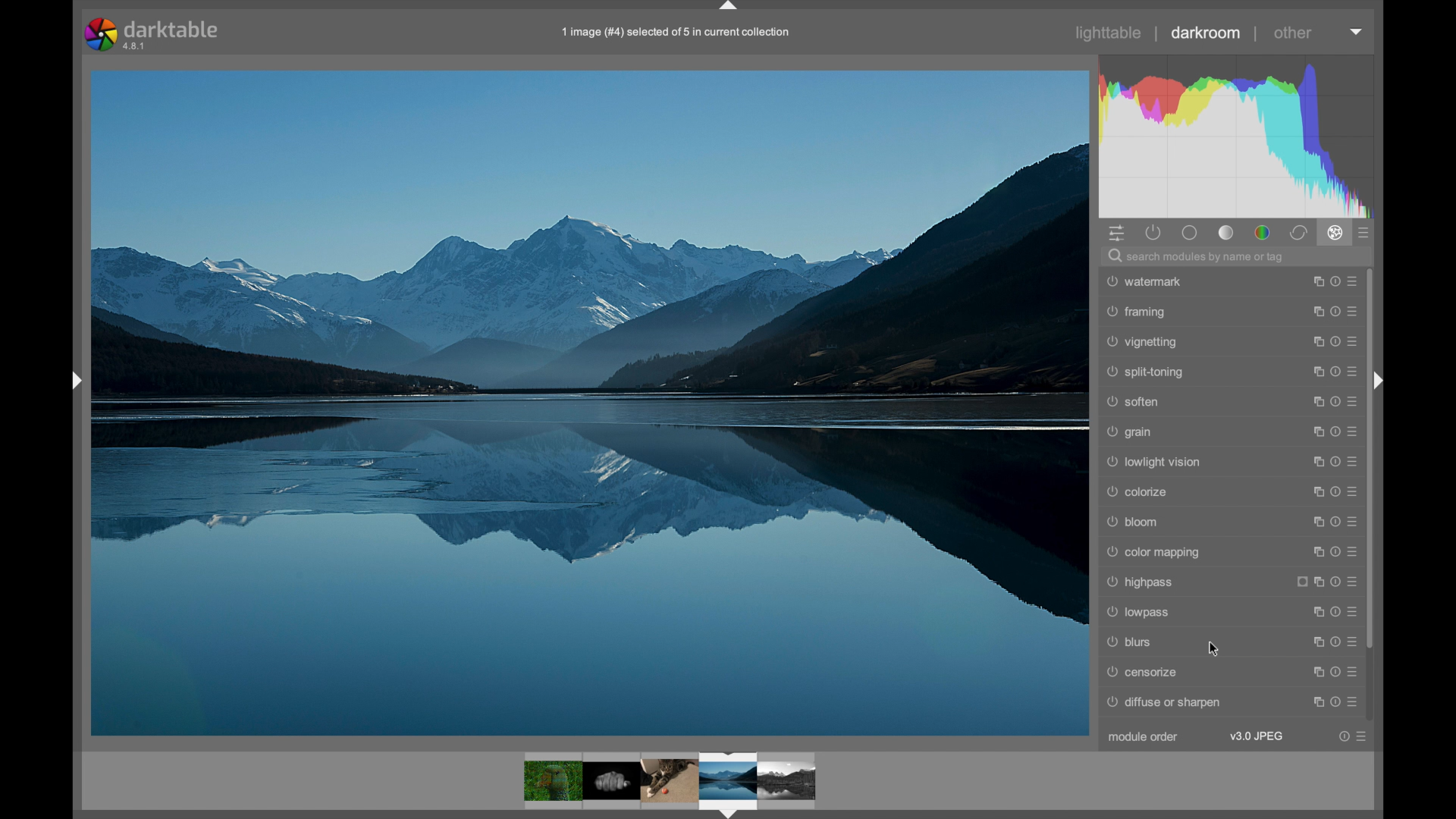 The height and width of the screenshot is (819, 1456). I want to click on watermark, so click(1144, 282).